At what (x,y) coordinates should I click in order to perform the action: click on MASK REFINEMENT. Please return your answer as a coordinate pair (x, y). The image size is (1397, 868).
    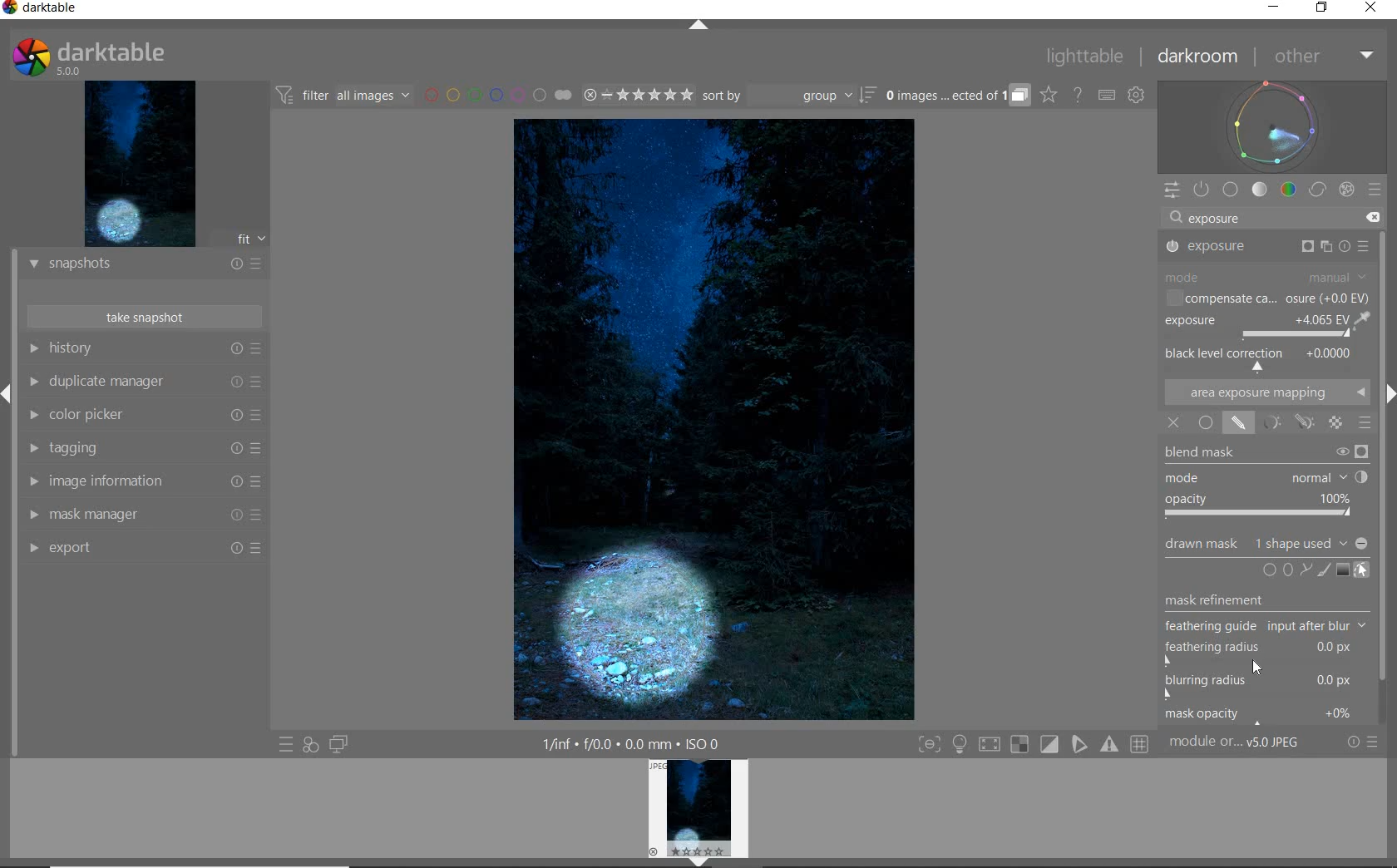
    Looking at the image, I should click on (1268, 602).